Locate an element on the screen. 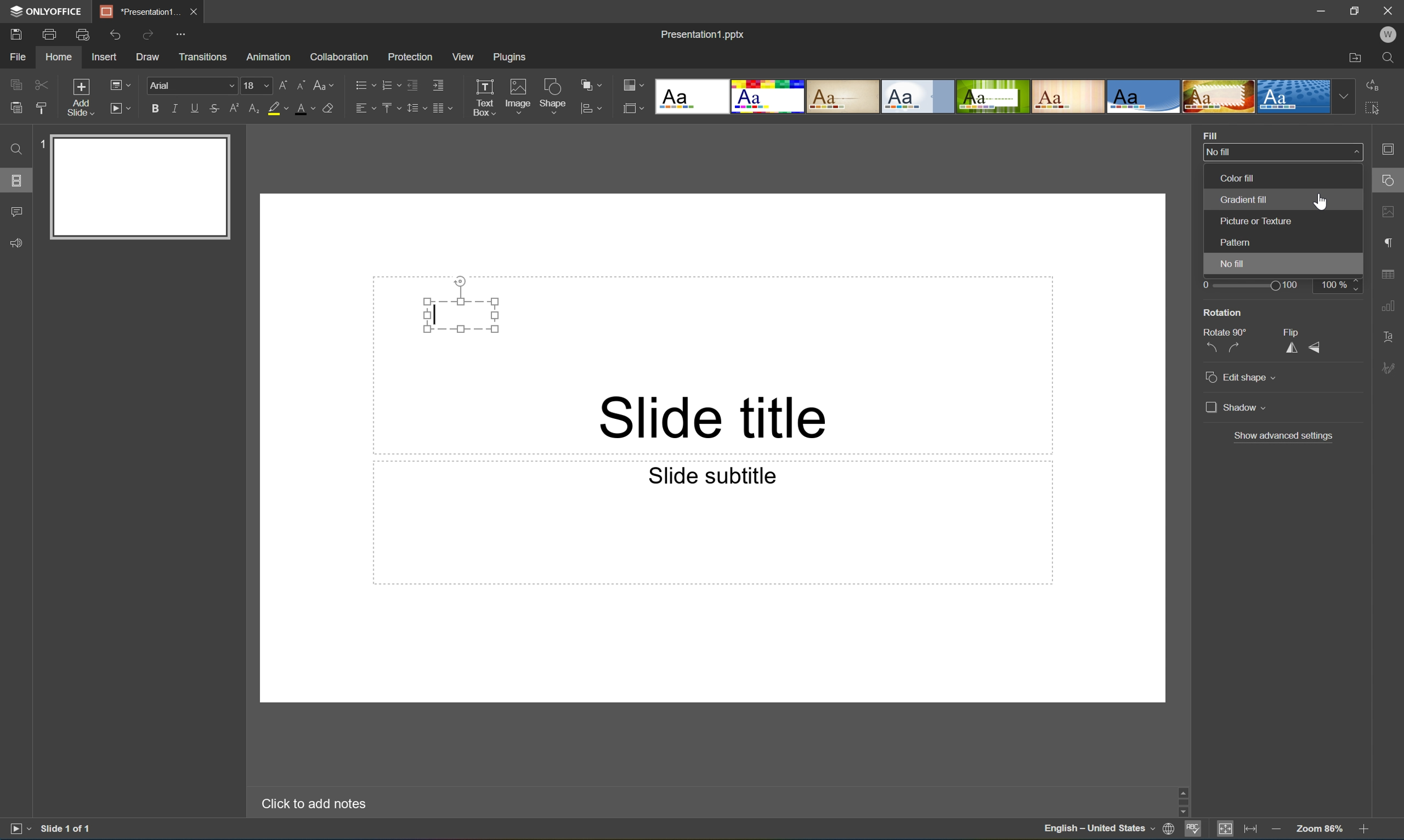  View is located at coordinates (464, 57).